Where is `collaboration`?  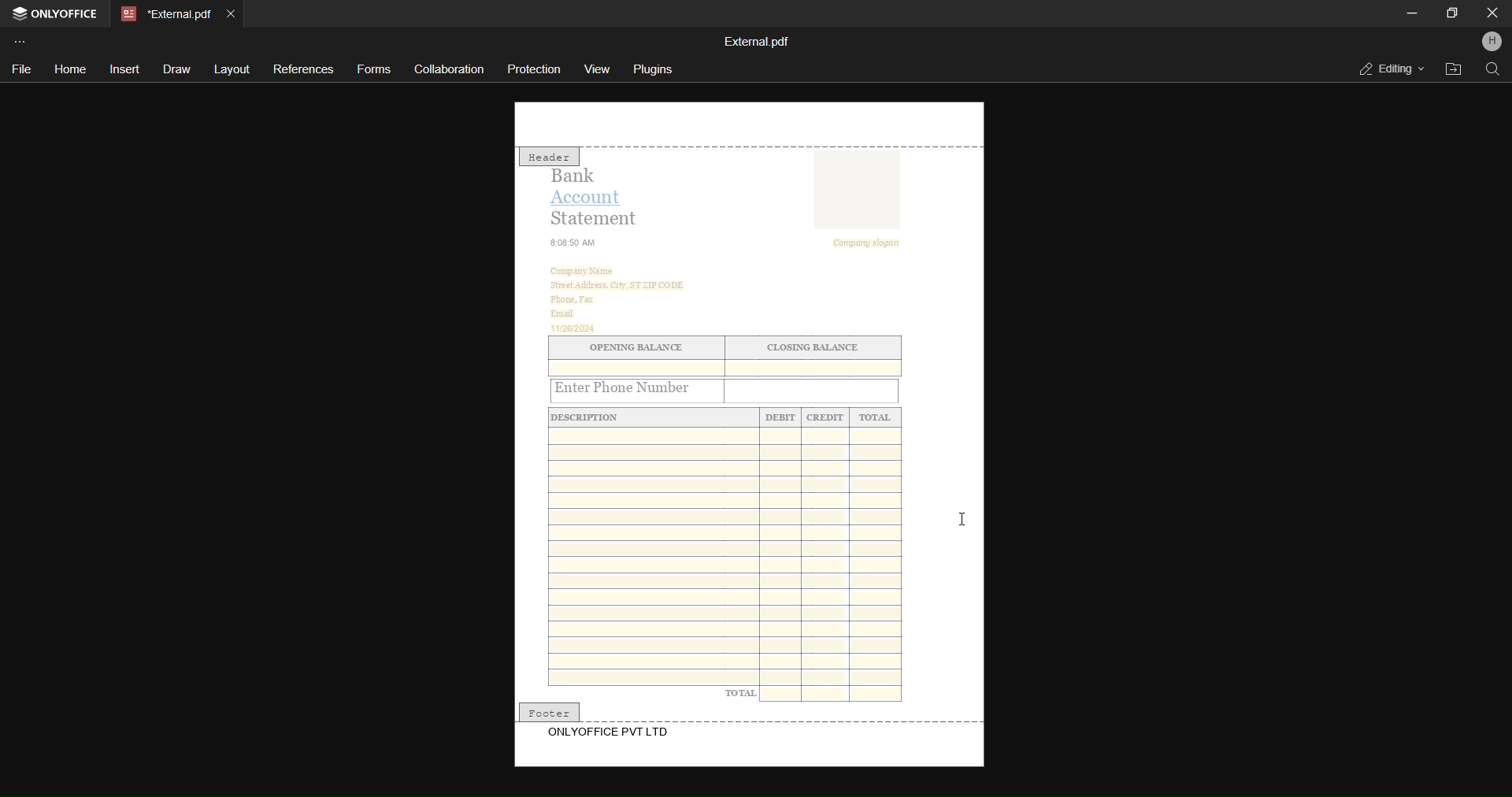 collaboration is located at coordinates (448, 69).